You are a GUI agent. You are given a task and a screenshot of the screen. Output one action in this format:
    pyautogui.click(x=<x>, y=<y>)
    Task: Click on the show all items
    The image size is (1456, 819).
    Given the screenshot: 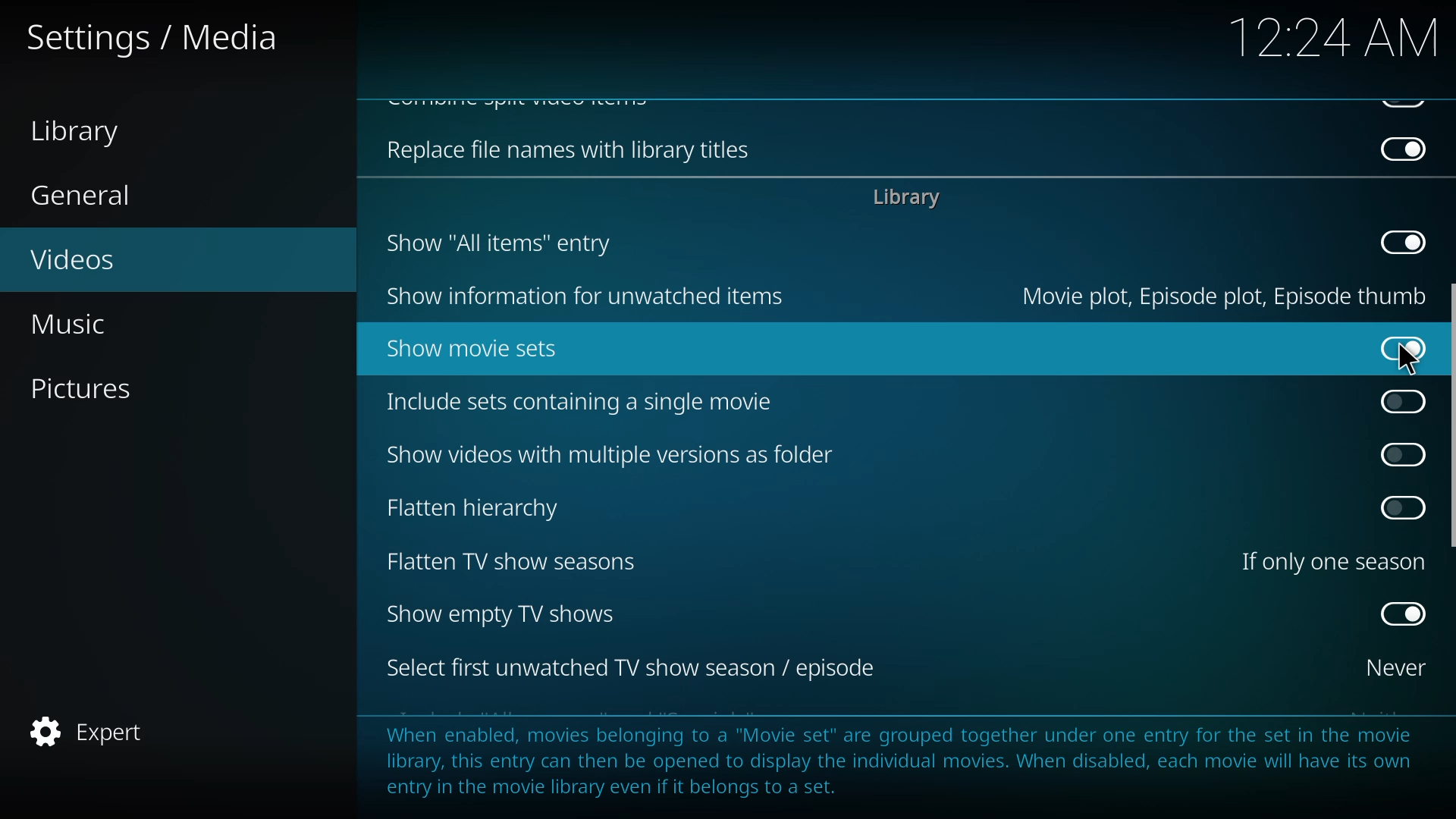 What is the action you would take?
    pyautogui.click(x=496, y=242)
    